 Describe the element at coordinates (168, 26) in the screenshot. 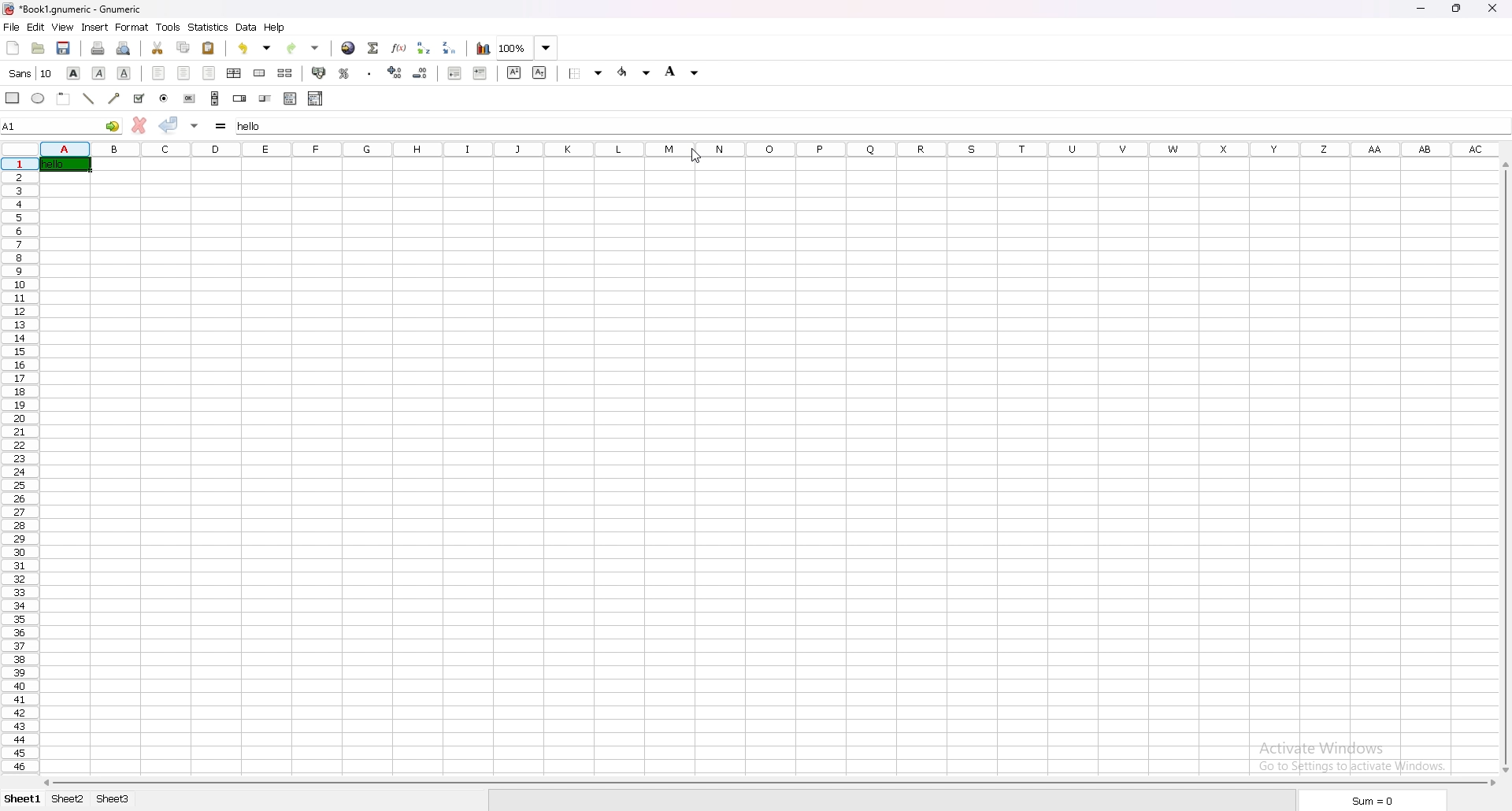

I see `tools` at that location.